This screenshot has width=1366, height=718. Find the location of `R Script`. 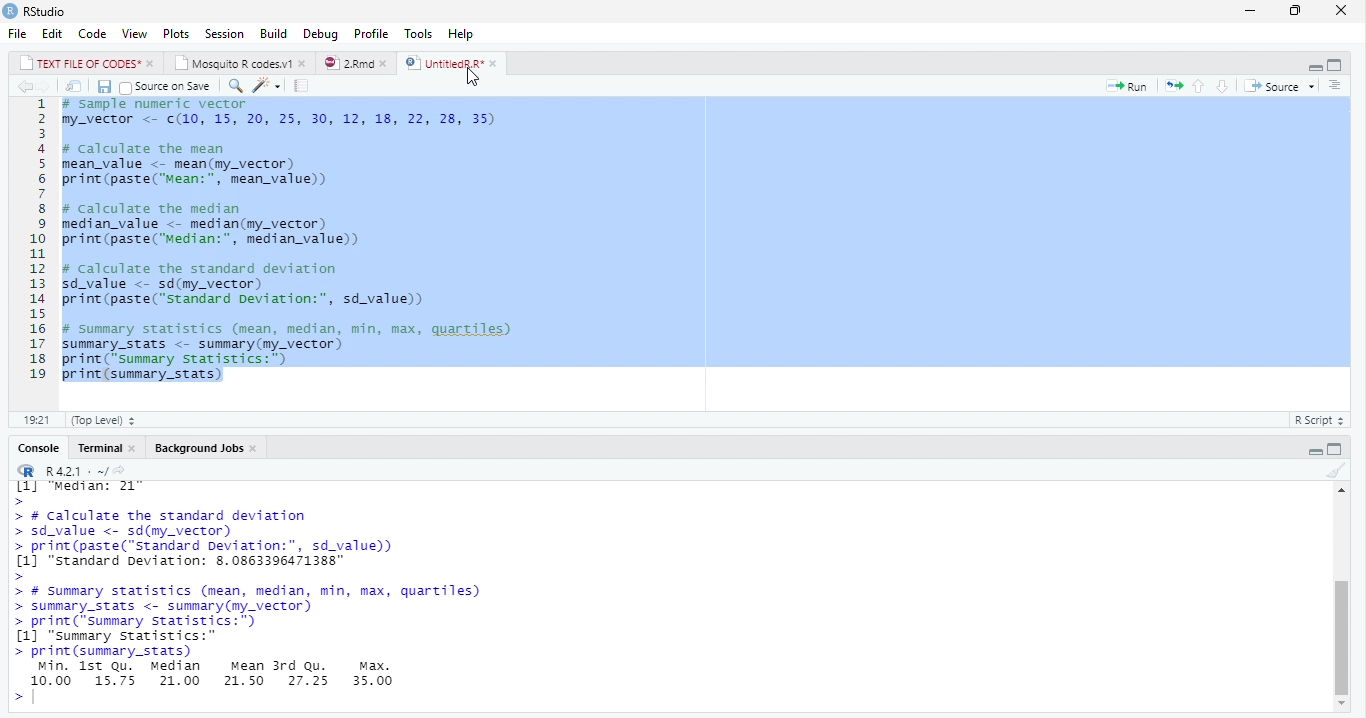

R Script is located at coordinates (1317, 421).